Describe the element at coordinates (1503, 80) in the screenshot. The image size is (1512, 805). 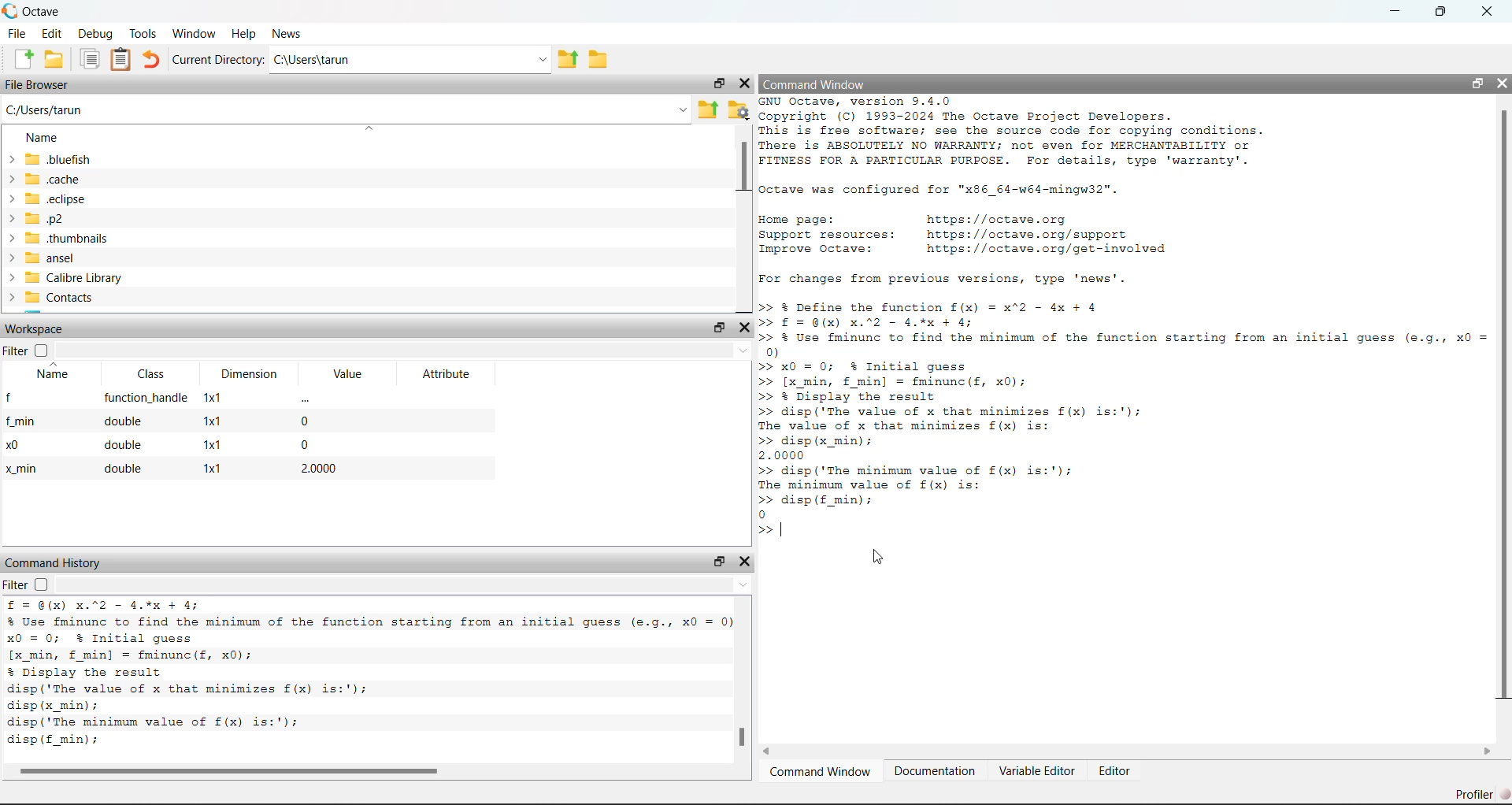
I see `Close` at that location.